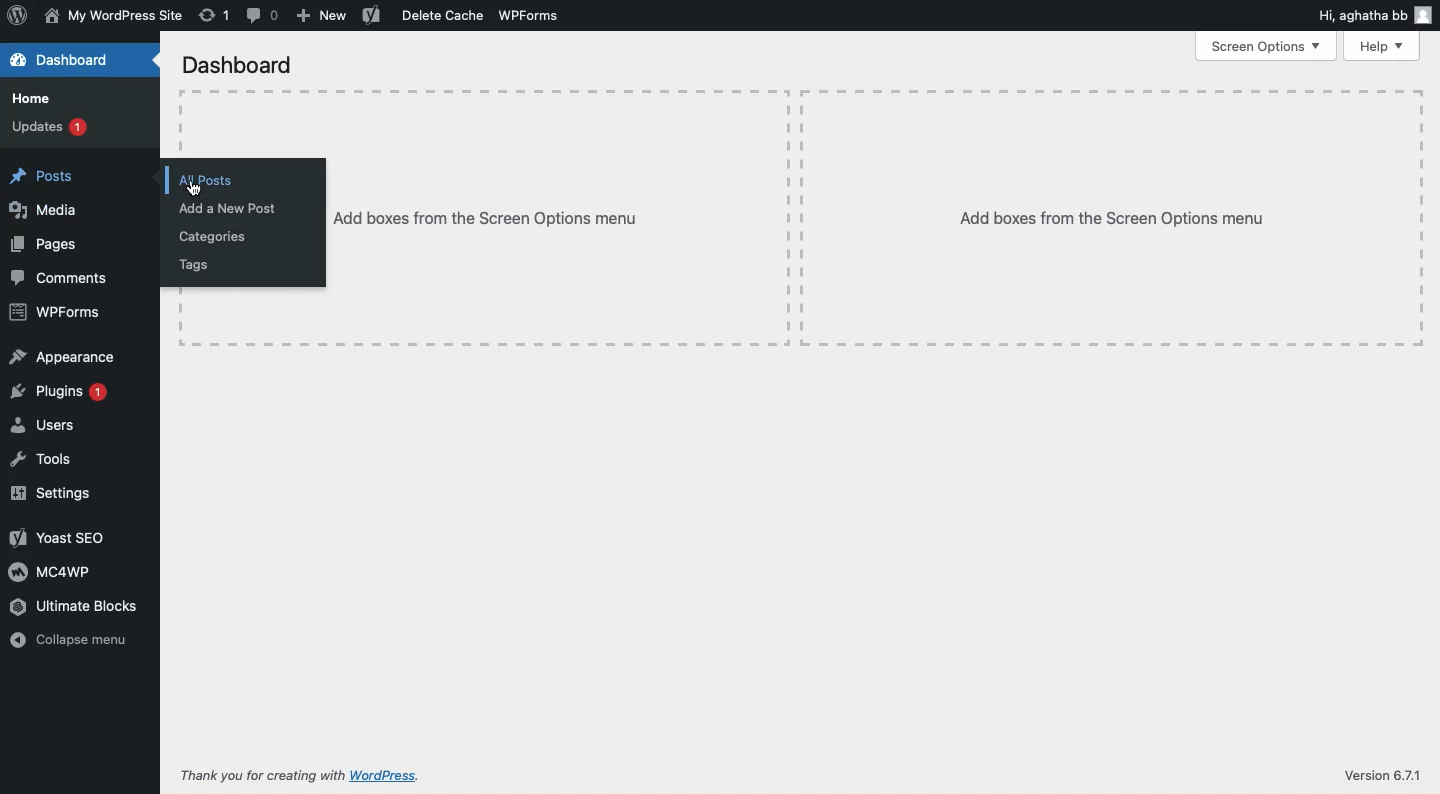 This screenshot has height=794, width=1440. Describe the element at coordinates (1384, 45) in the screenshot. I see `Help` at that location.